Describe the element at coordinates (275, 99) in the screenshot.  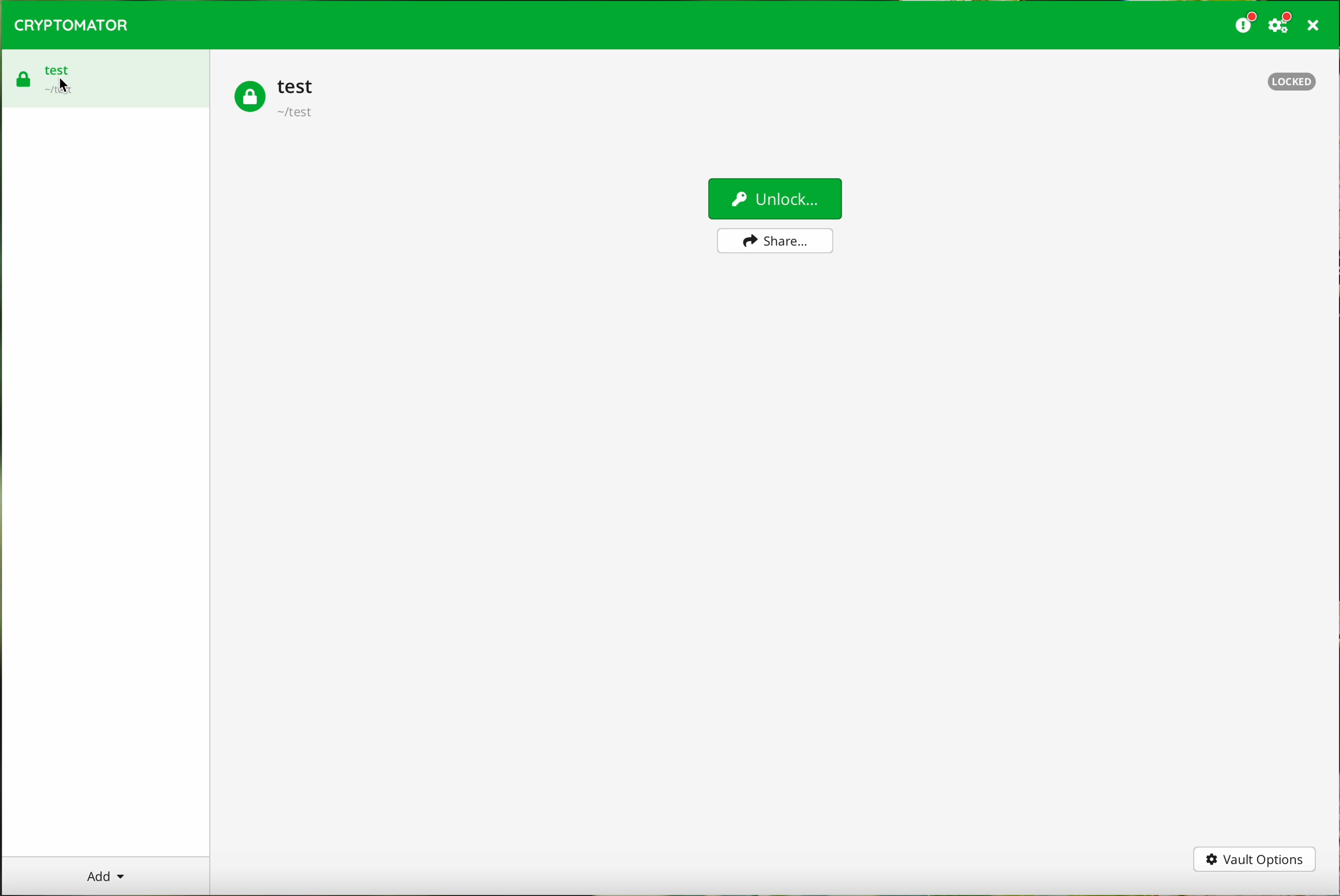
I see `test vault` at that location.